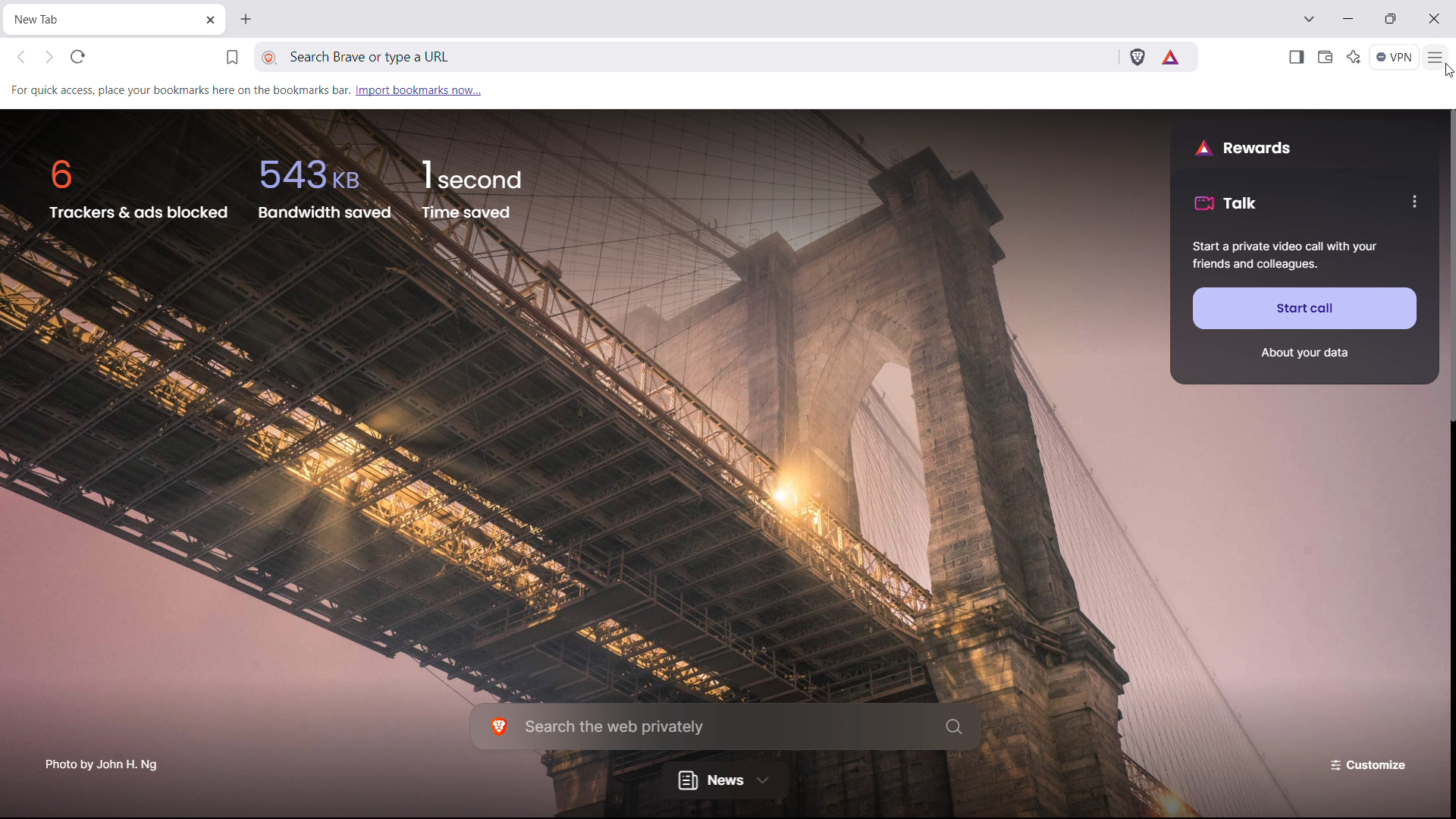 This screenshot has width=1456, height=819. I want to click on For quick access, place your bookmarks here on the bookmarks bar, so click(175, 89).